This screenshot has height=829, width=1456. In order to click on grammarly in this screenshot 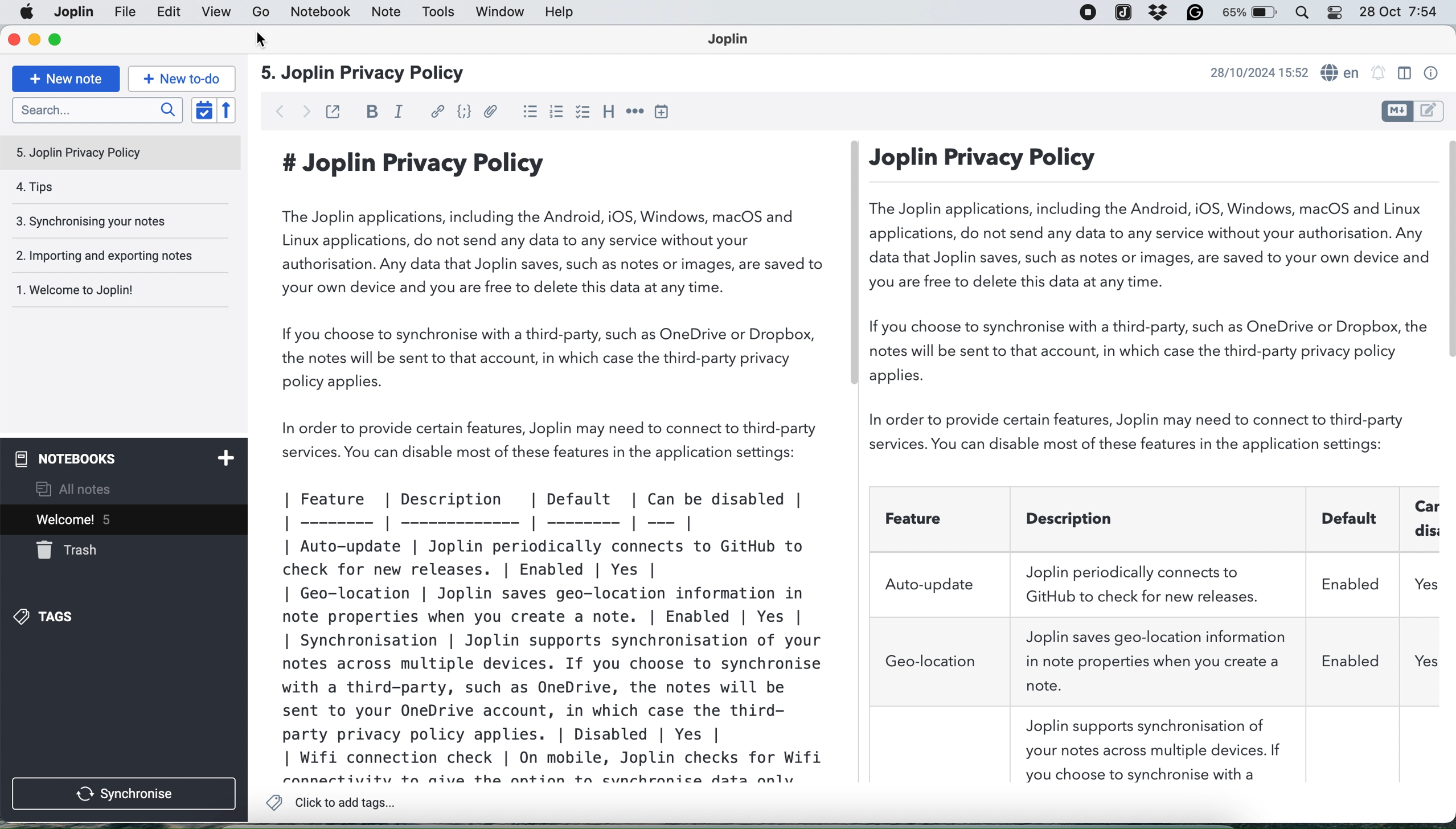, I will do `click(1195, 14)`.